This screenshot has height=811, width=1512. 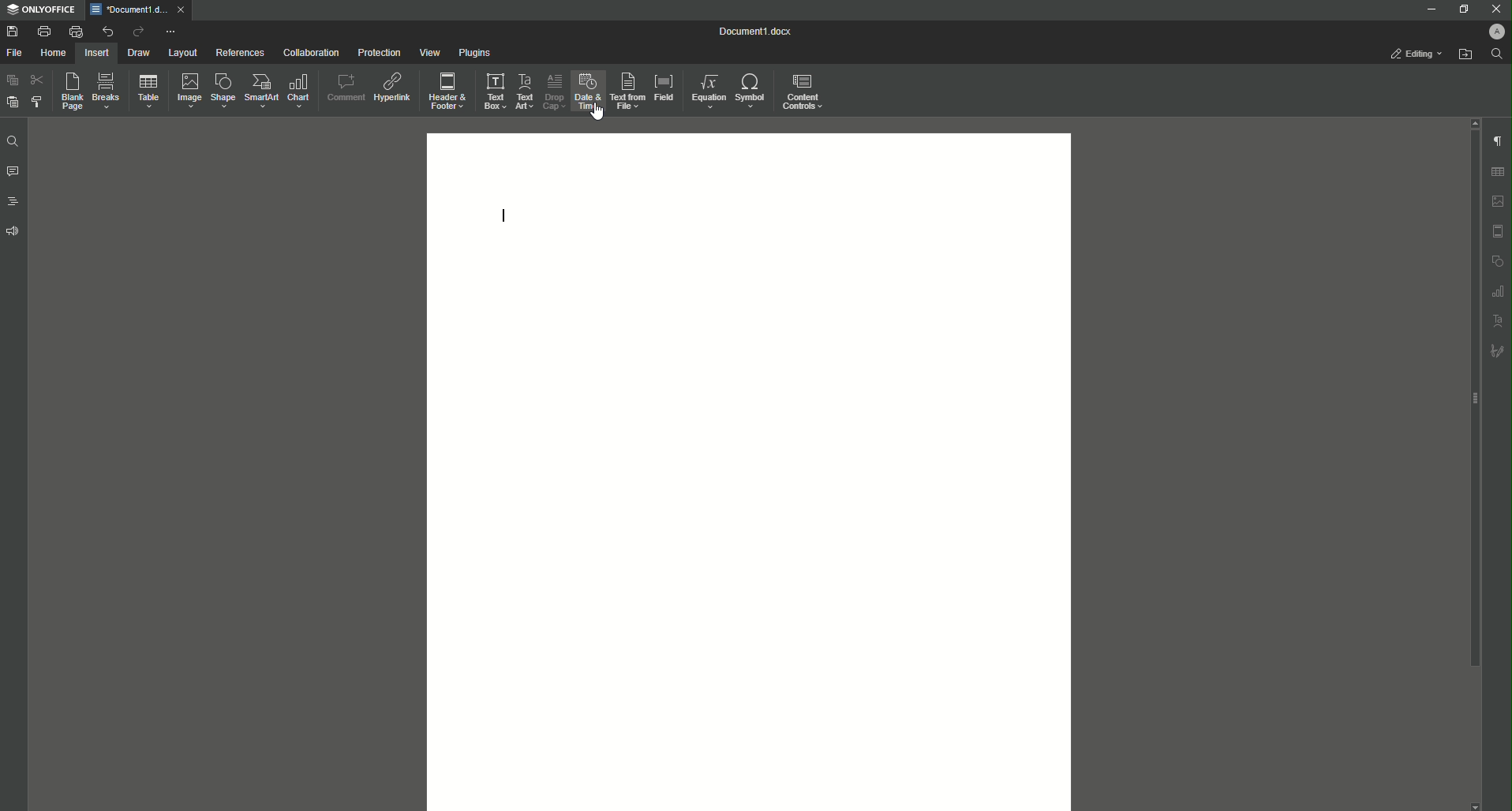 I want to click on Shape, so click(x=220, y=91).